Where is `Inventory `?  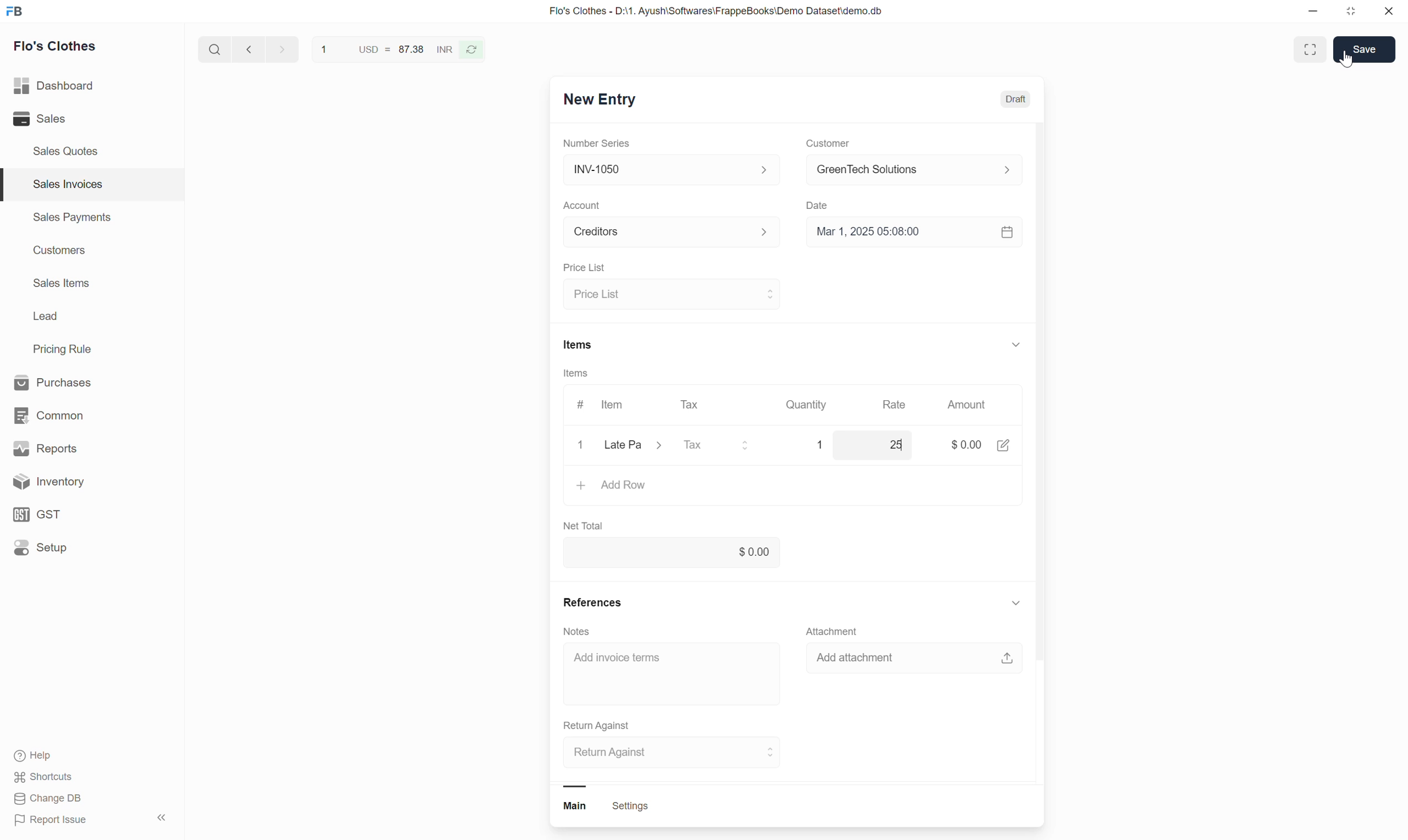
Inventory  is located at coordinates (85, 482).